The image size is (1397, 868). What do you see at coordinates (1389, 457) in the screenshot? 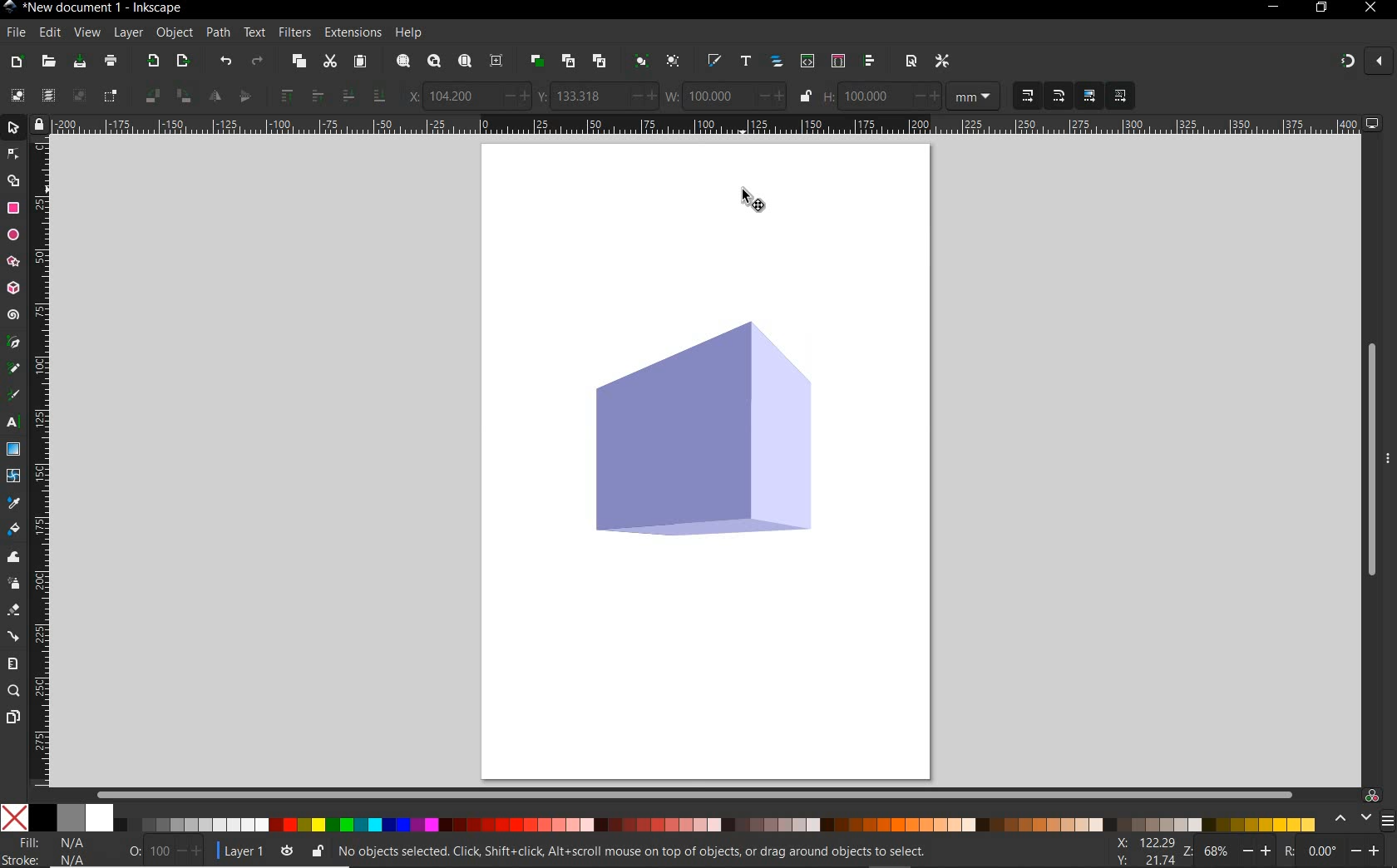
I see `more options` at bounding box center [1389, 457].